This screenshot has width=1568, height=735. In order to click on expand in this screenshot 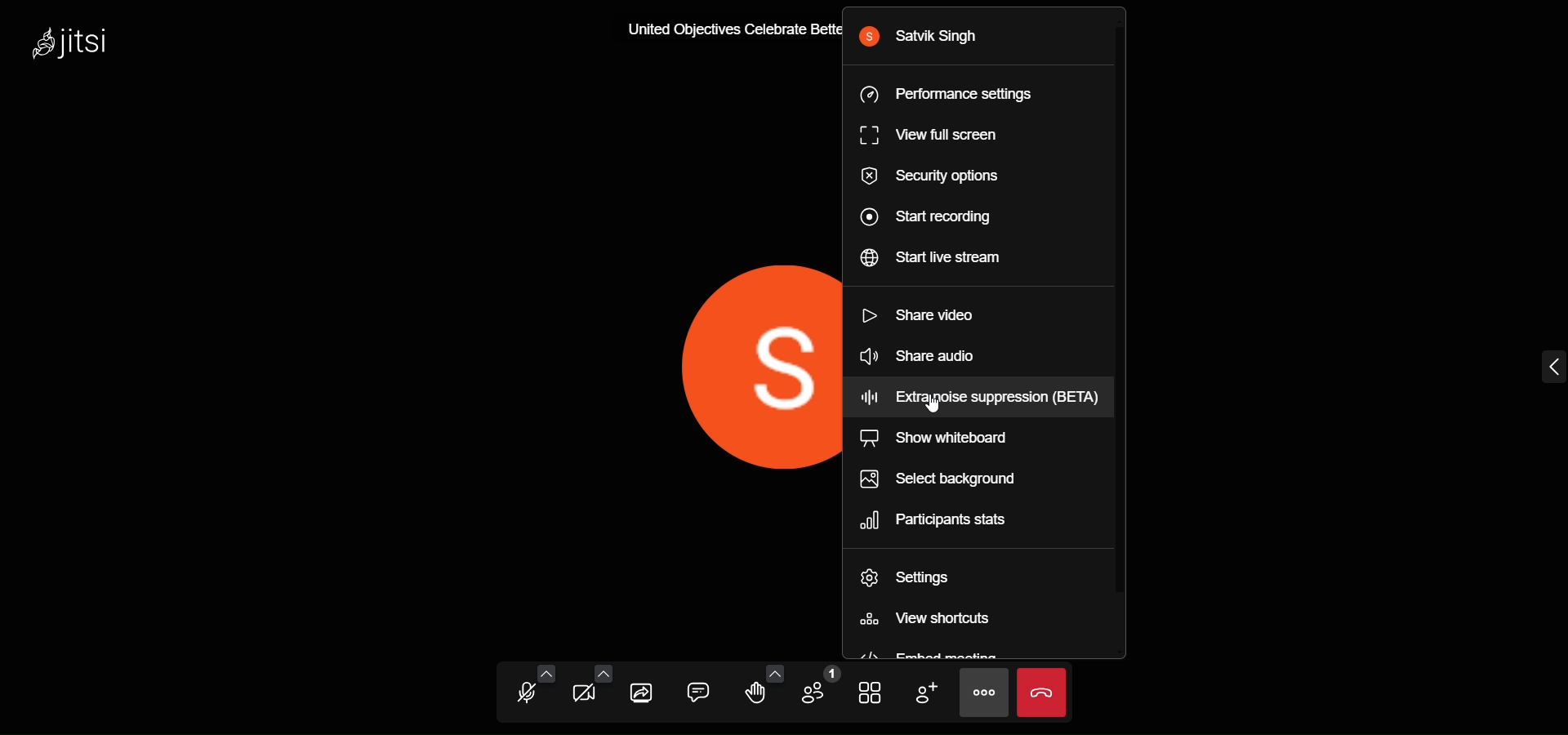, I will do `click(1543, 368)`.